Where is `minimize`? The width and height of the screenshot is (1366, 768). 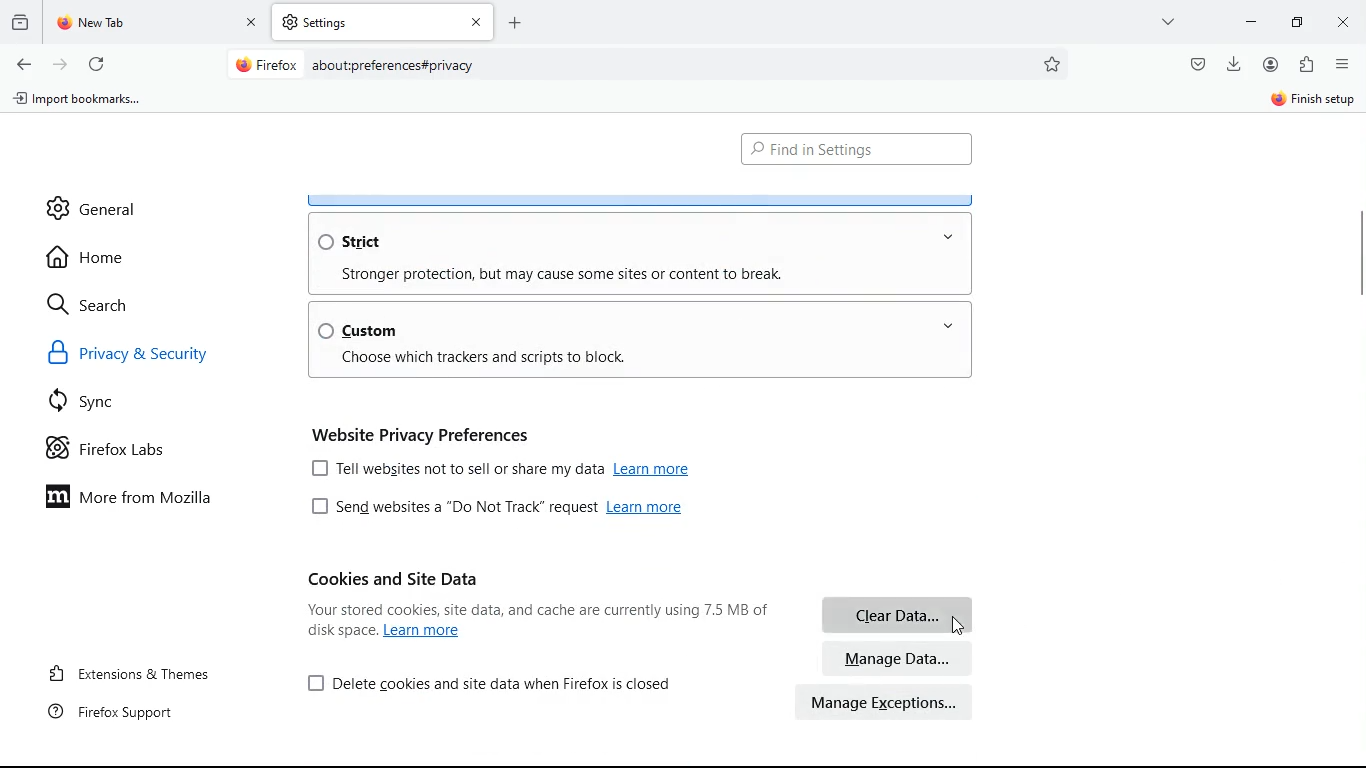 minimize is located at coordinates (1251, 20).